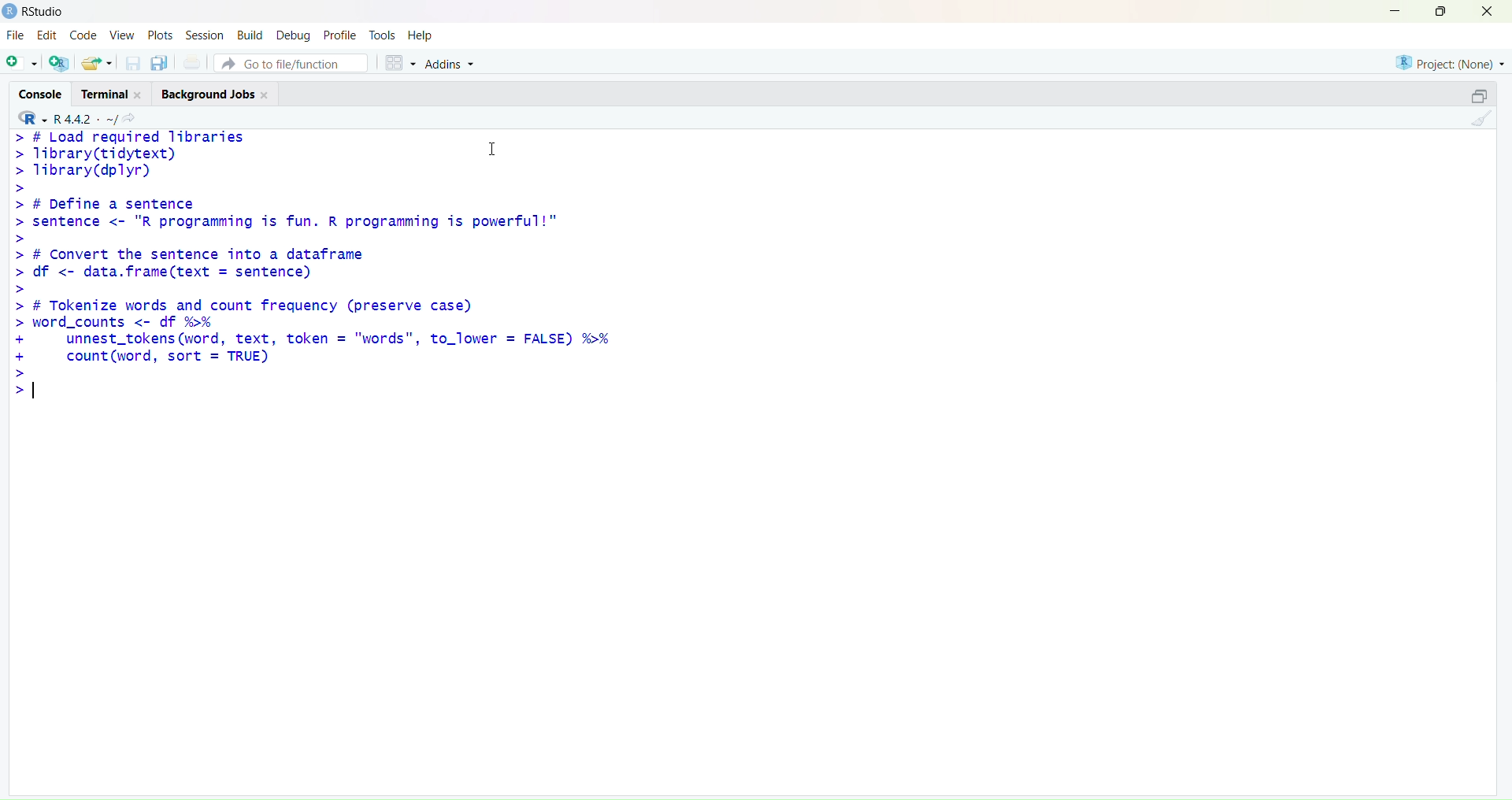 The image size is (1512, 800). Describe the element at coordinates (205, 35) in the screenshot. I see `session` at that location.